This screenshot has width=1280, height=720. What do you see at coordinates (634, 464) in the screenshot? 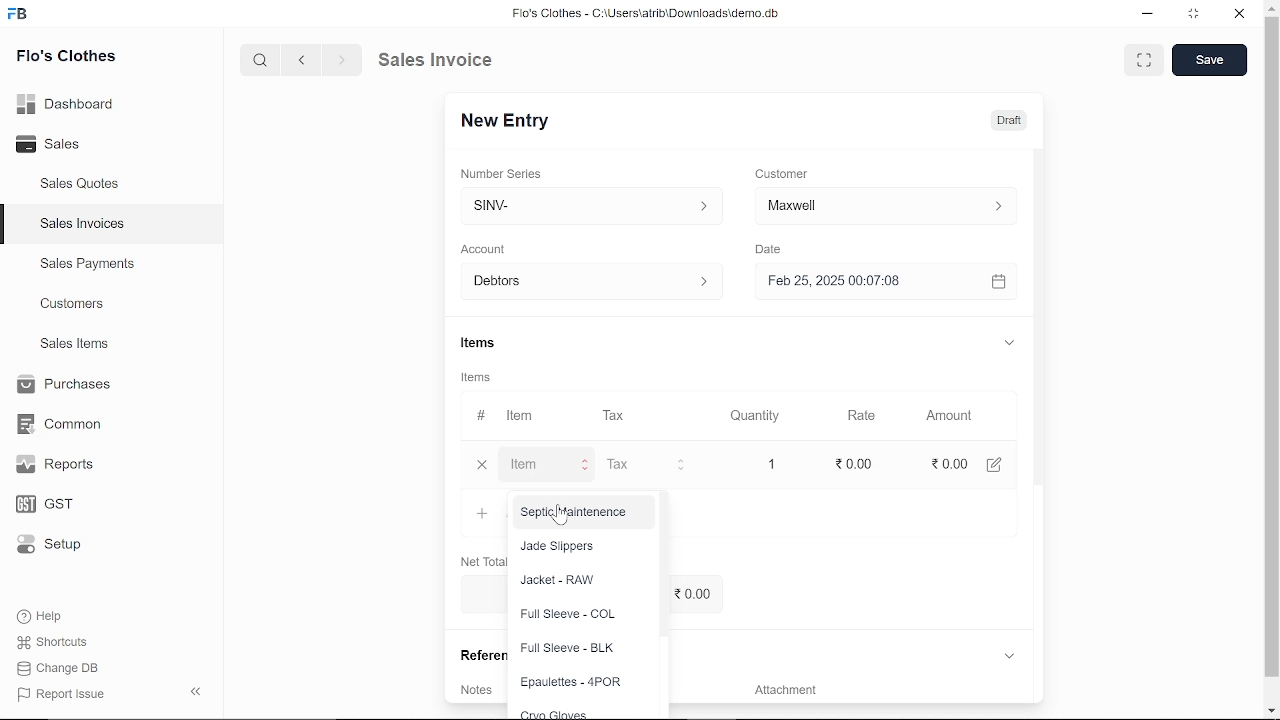
I see `Tax` at bounding box center [634, 464].